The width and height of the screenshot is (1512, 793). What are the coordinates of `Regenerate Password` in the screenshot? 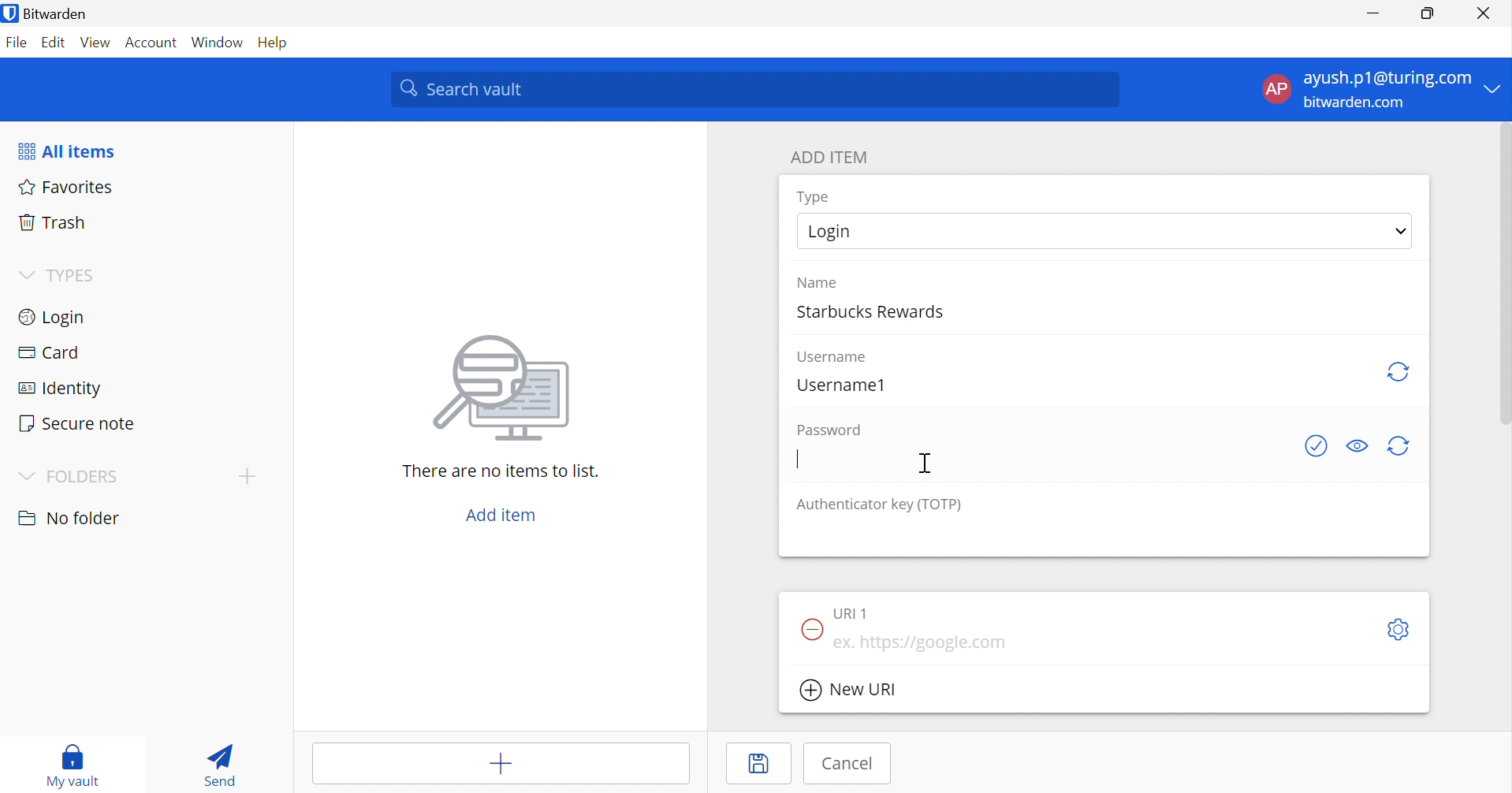 It's located at (1399, 446).